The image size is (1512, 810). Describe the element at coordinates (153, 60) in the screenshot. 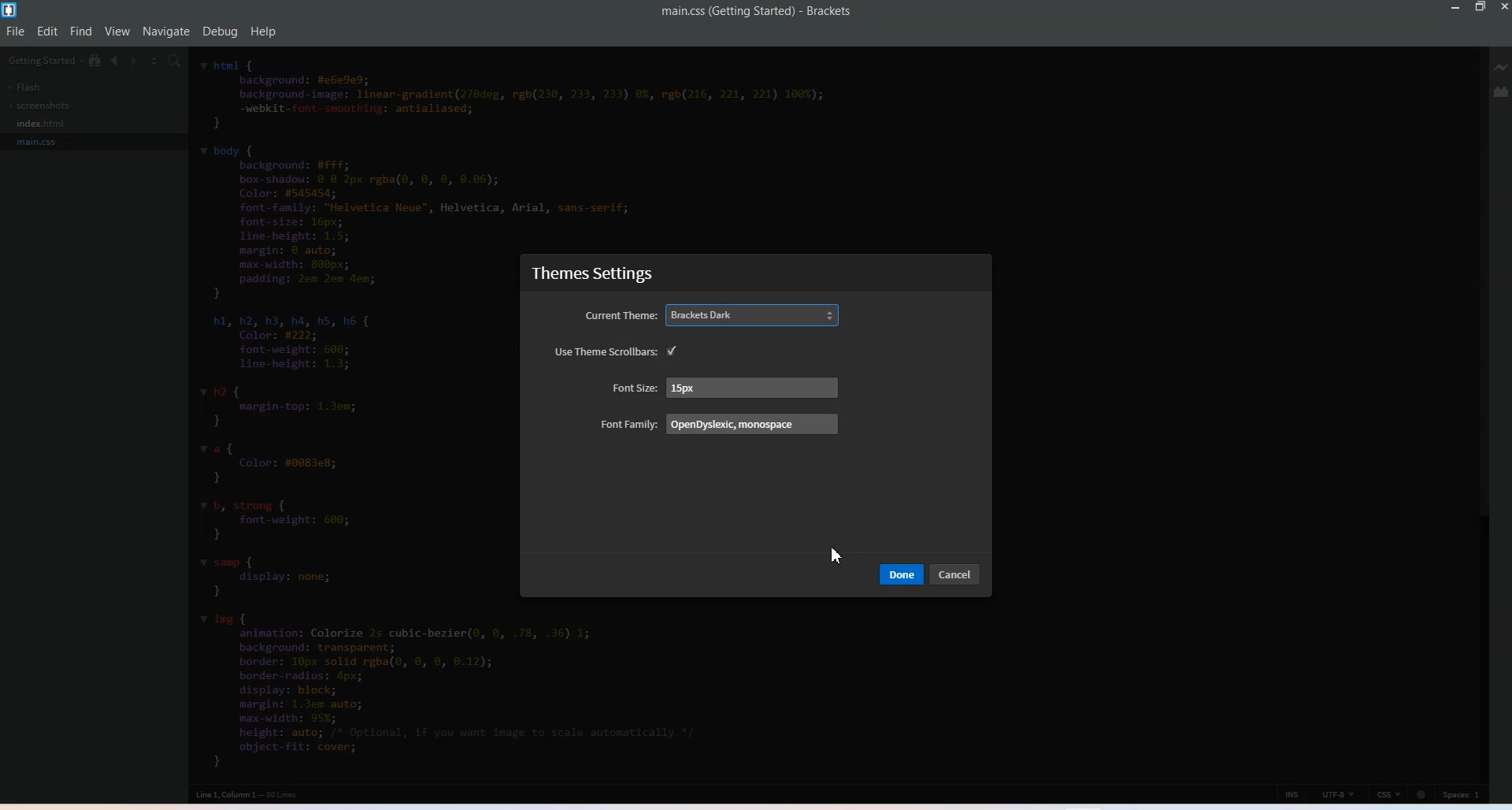

I see `Split editor vertically and Horizontally` at that location.